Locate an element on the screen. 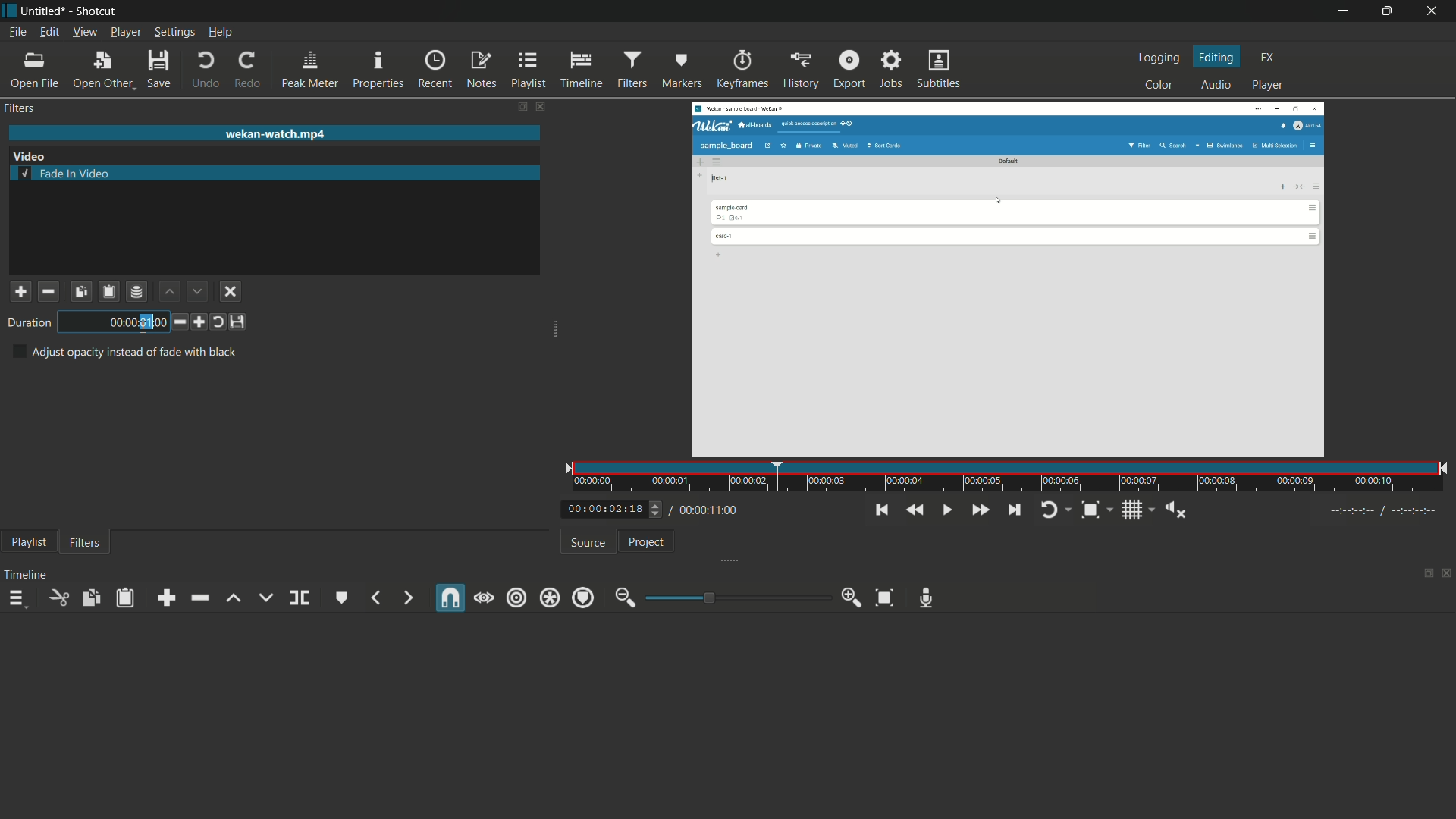 This screenshot has width=1456, height=819. paste is located at coordinates (124, 599).